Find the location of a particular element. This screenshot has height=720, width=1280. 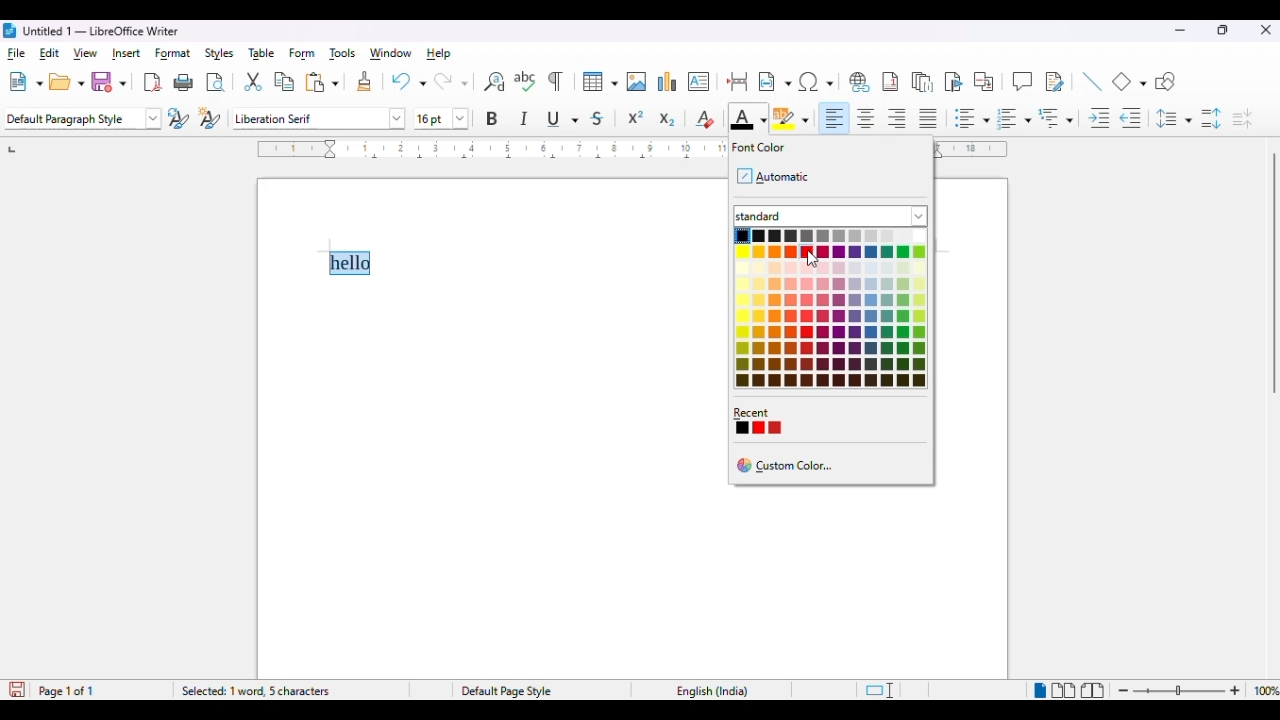

redo is located at coordinates (450, 81).